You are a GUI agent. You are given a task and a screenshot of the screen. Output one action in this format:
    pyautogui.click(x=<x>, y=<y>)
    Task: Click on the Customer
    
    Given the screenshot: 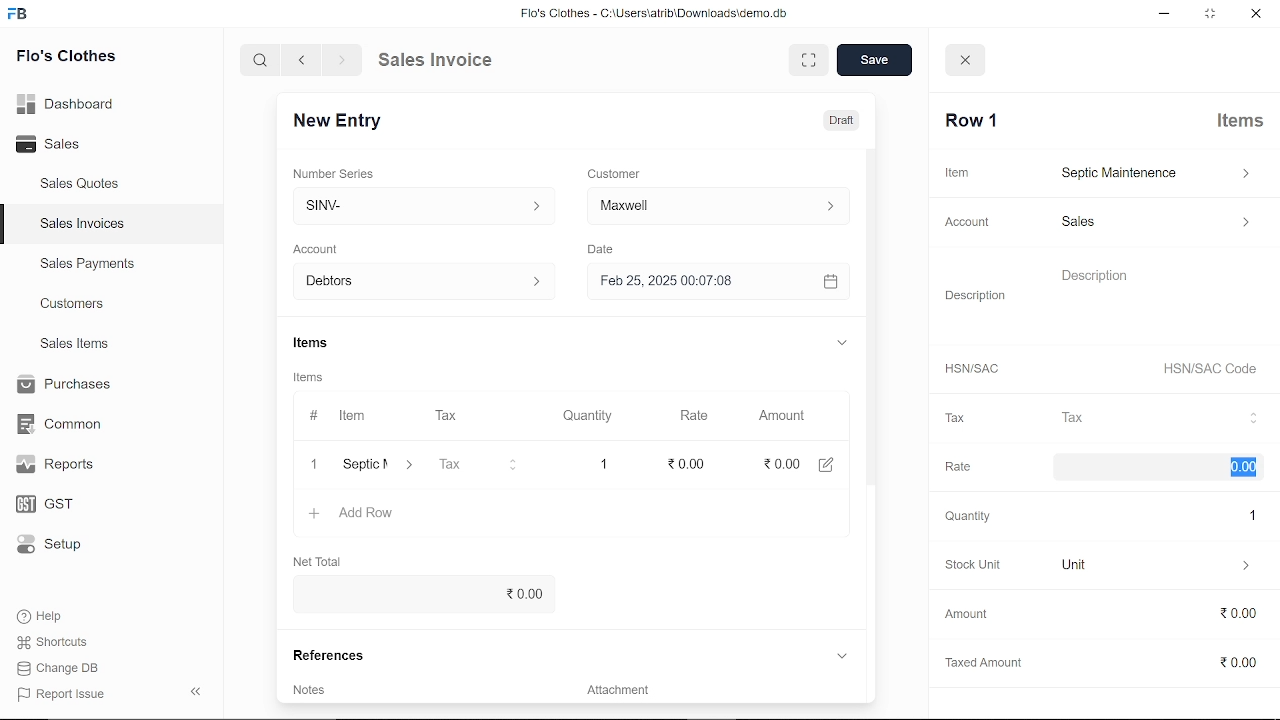 What is the action you would take?
    pyautogui.click(x=615, y=172)
    